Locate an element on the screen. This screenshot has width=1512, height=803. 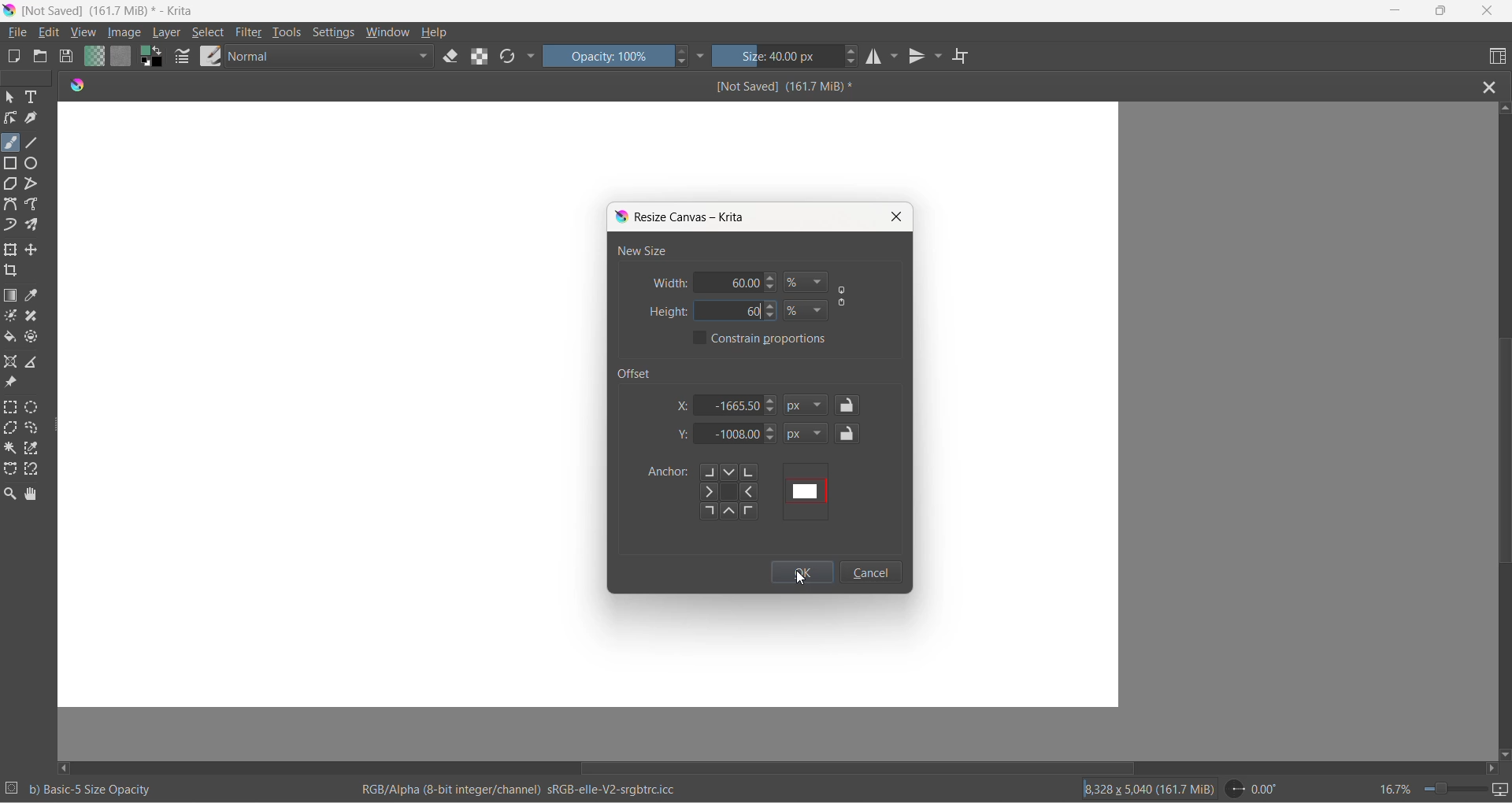
multibrush tool is located at coordinates (37, 225).